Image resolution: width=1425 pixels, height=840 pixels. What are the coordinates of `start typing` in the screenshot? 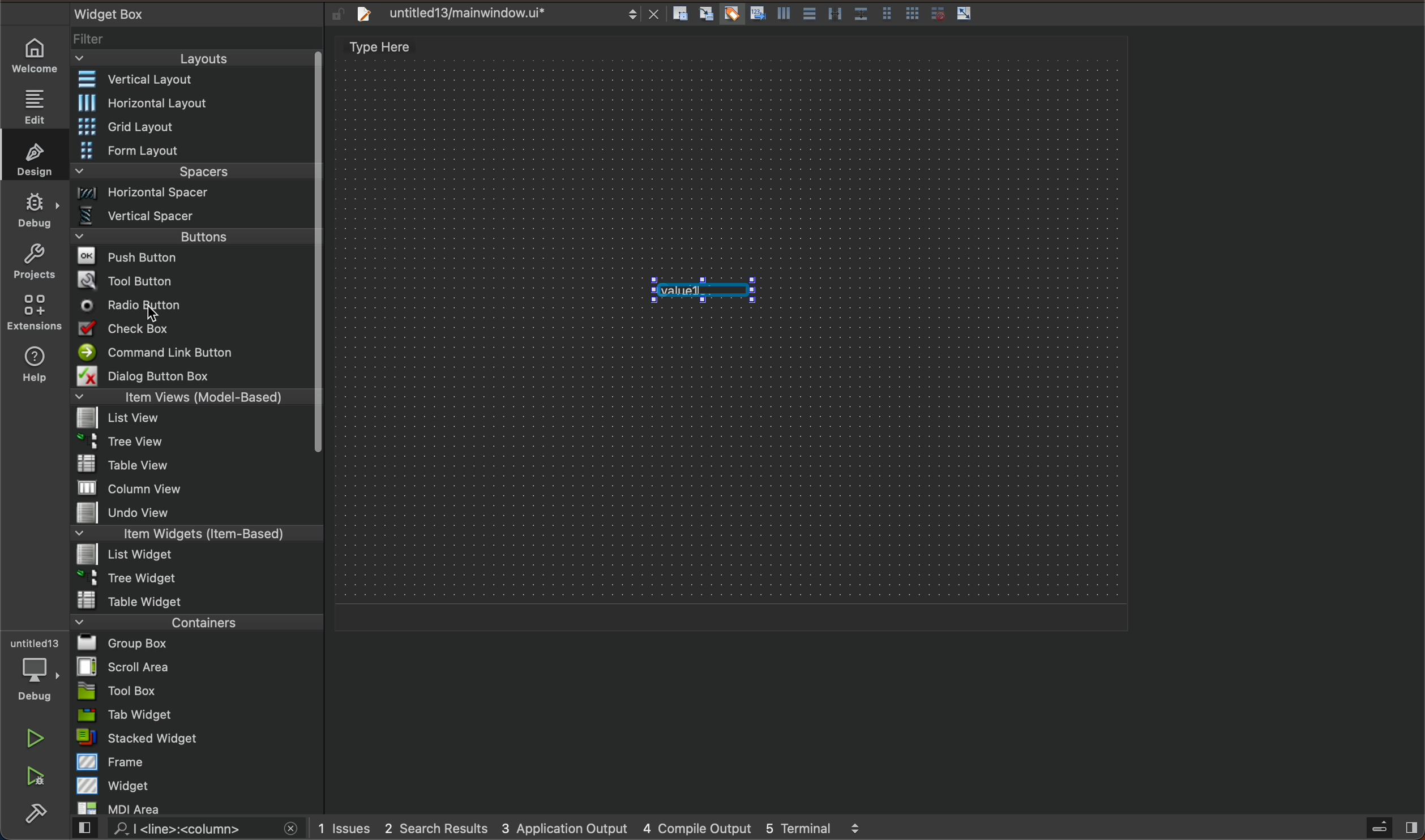 It's located at (701, 290).